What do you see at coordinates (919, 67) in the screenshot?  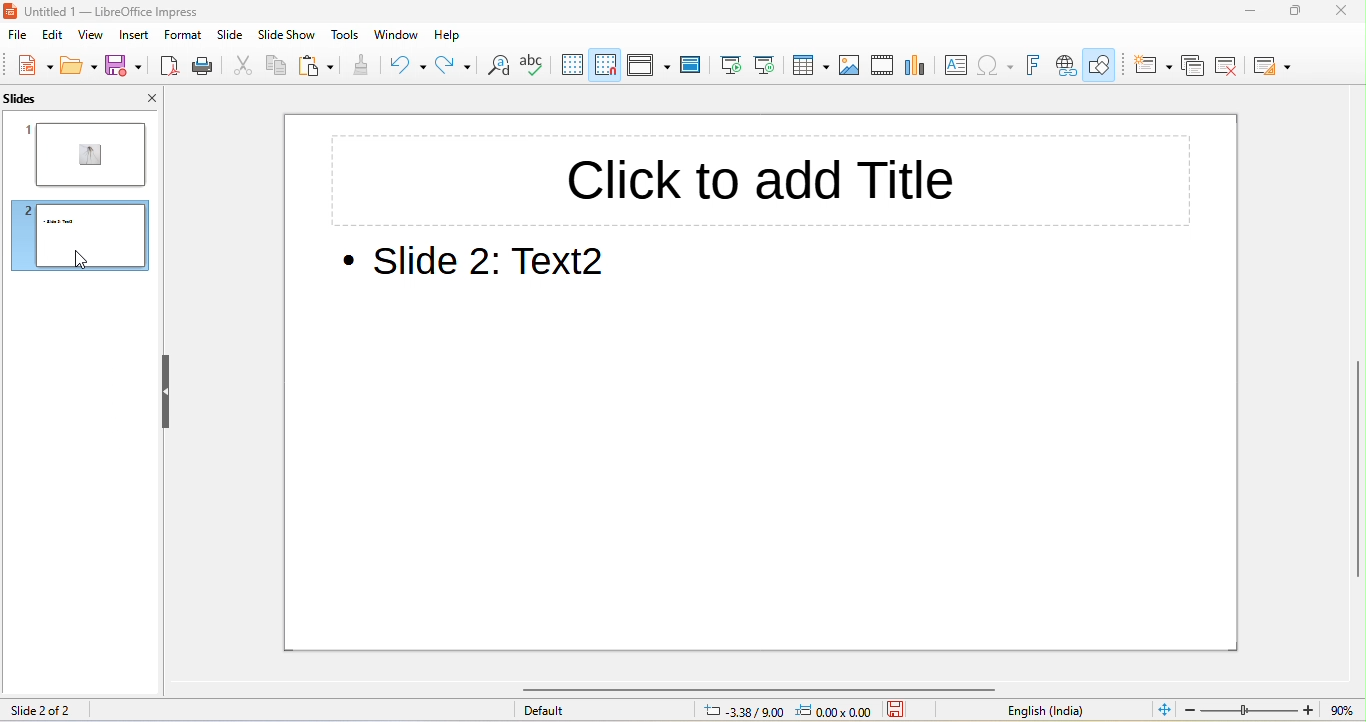 I see `chart` at bounding box center [919, 67].